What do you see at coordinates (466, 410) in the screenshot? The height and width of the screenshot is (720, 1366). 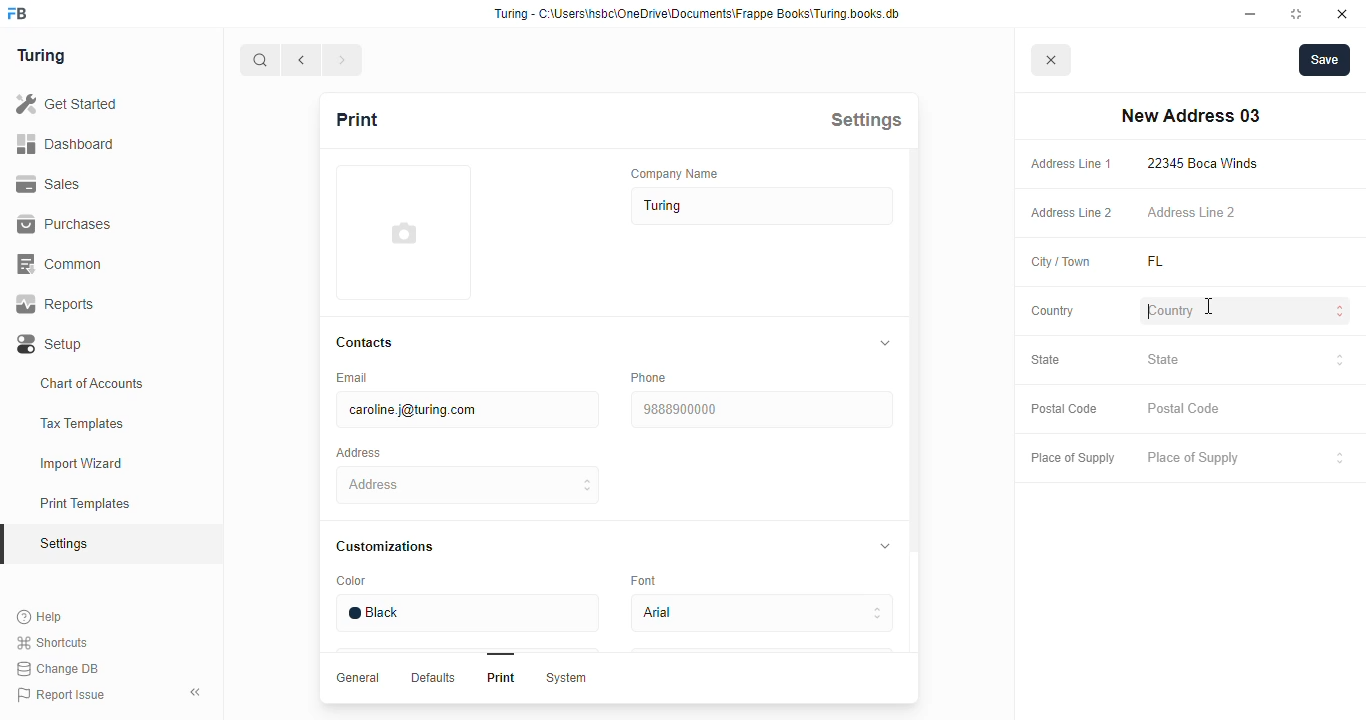 I see `caroline.j@turing.com` at bounding box center [466, 410].